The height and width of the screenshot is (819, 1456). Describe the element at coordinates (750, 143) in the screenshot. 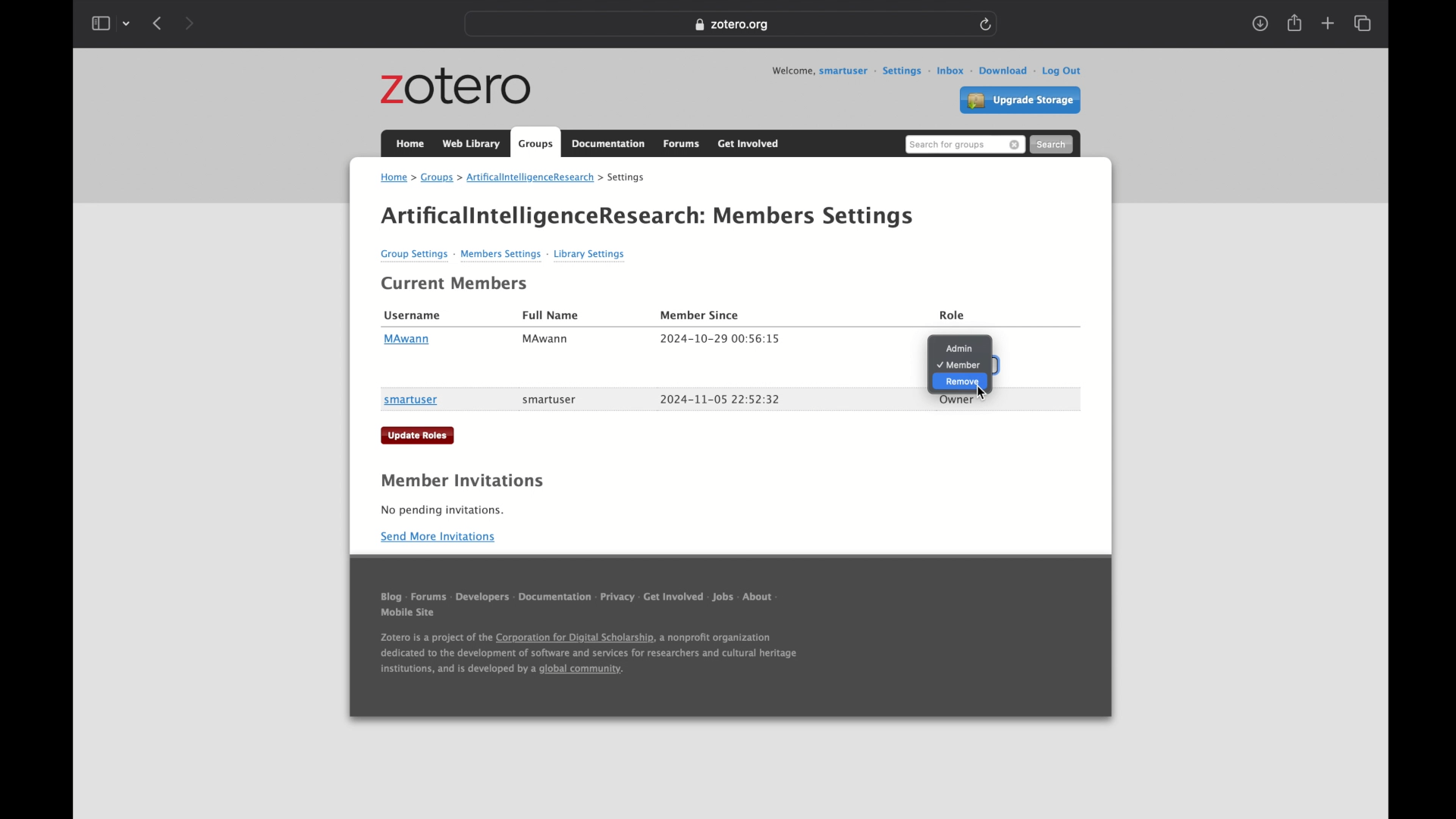

I see `get involved` at that location.